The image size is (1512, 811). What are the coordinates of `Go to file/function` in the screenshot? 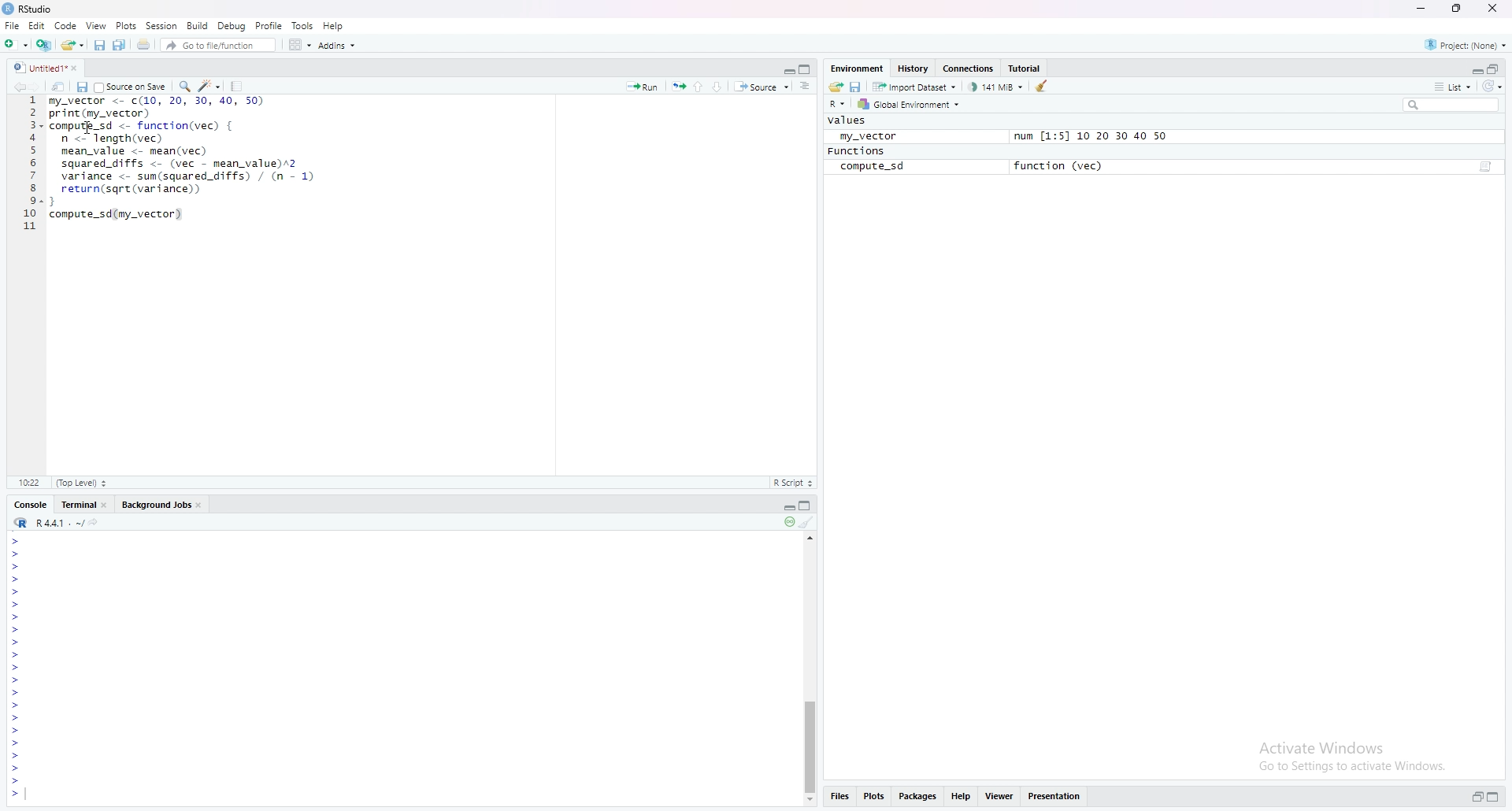 It's located at (217, 44).